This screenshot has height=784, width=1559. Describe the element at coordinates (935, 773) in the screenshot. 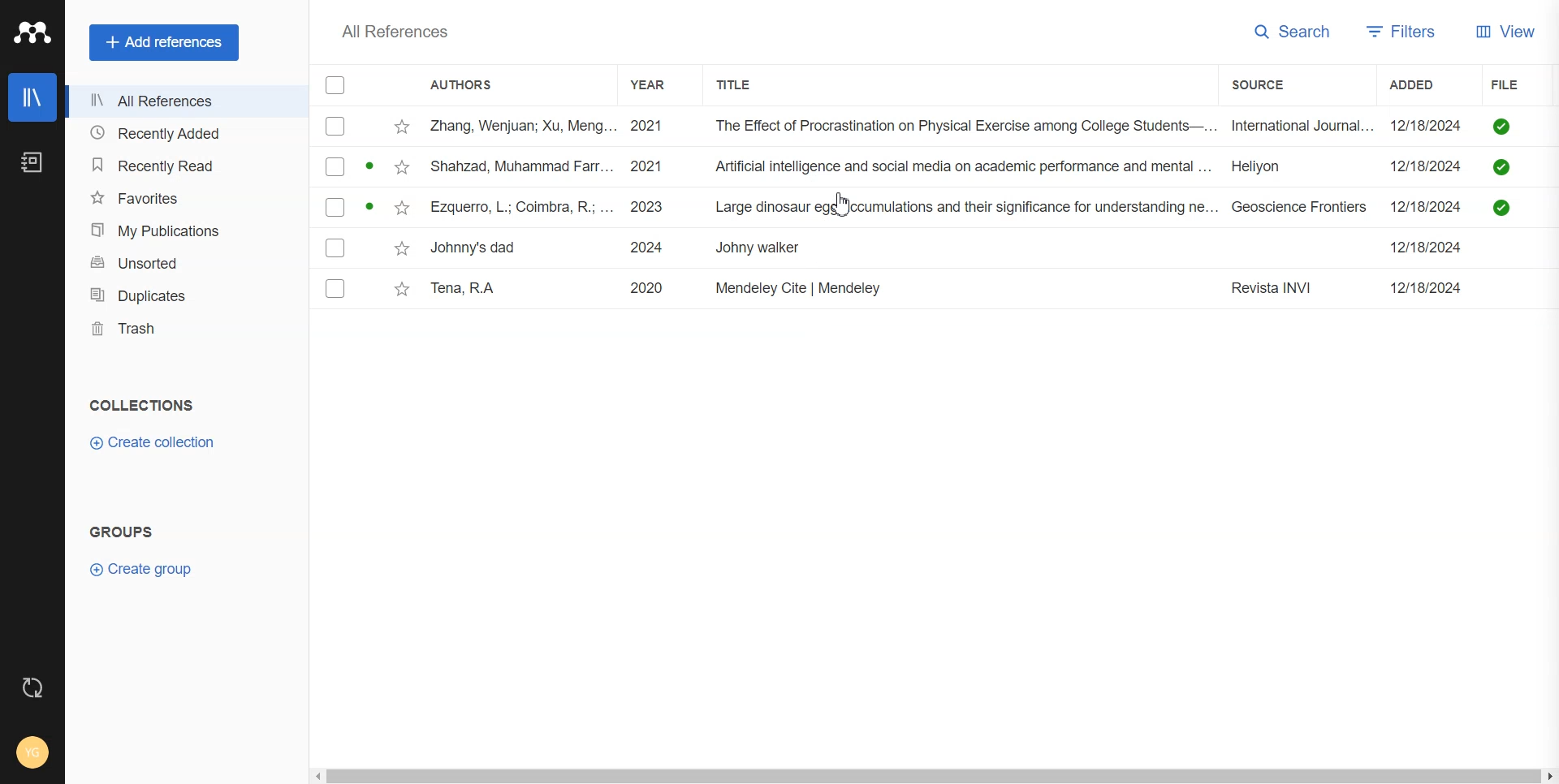

I see `Horizontal scroll bar` at that location.